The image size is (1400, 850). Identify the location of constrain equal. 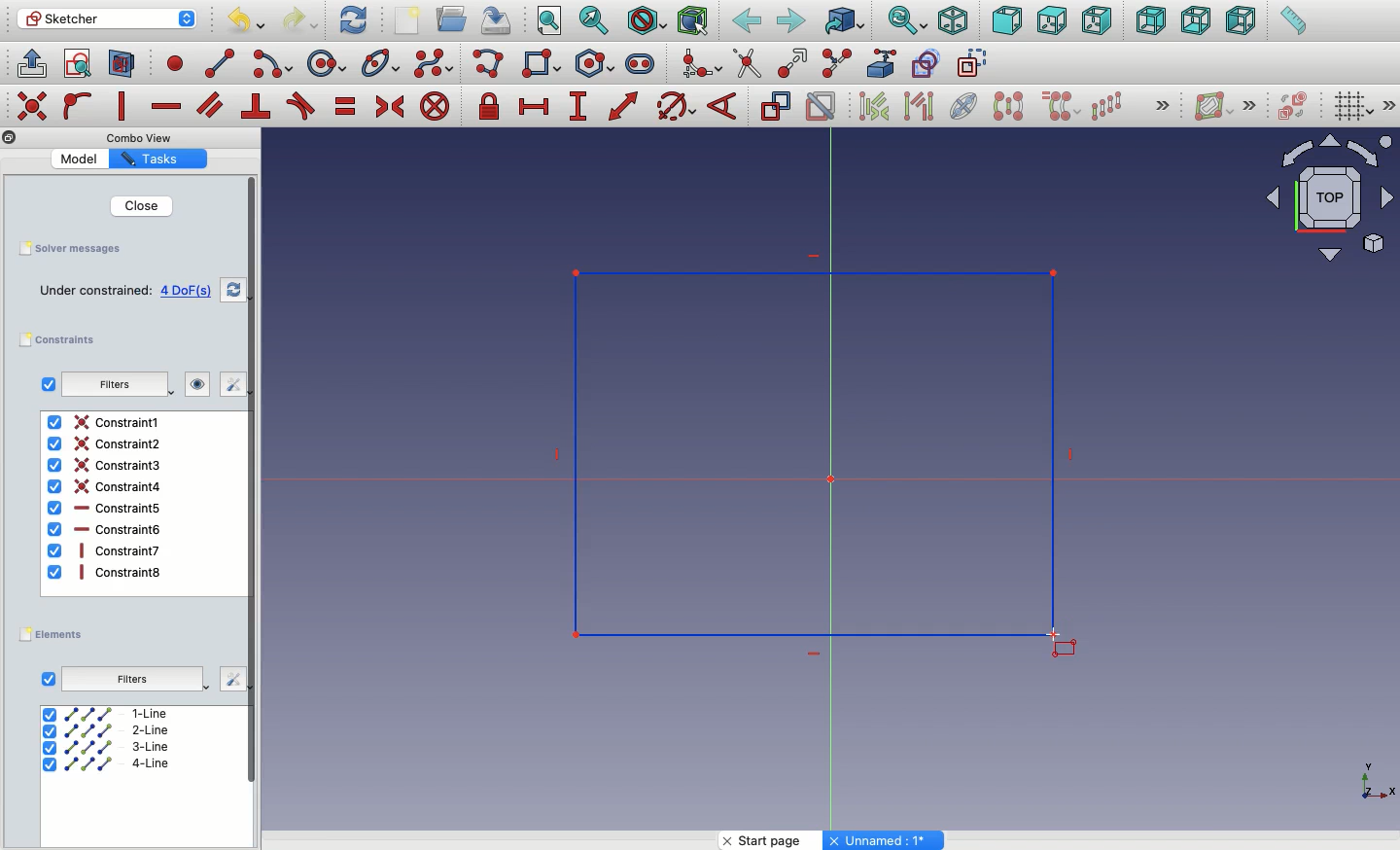
(346, 106).